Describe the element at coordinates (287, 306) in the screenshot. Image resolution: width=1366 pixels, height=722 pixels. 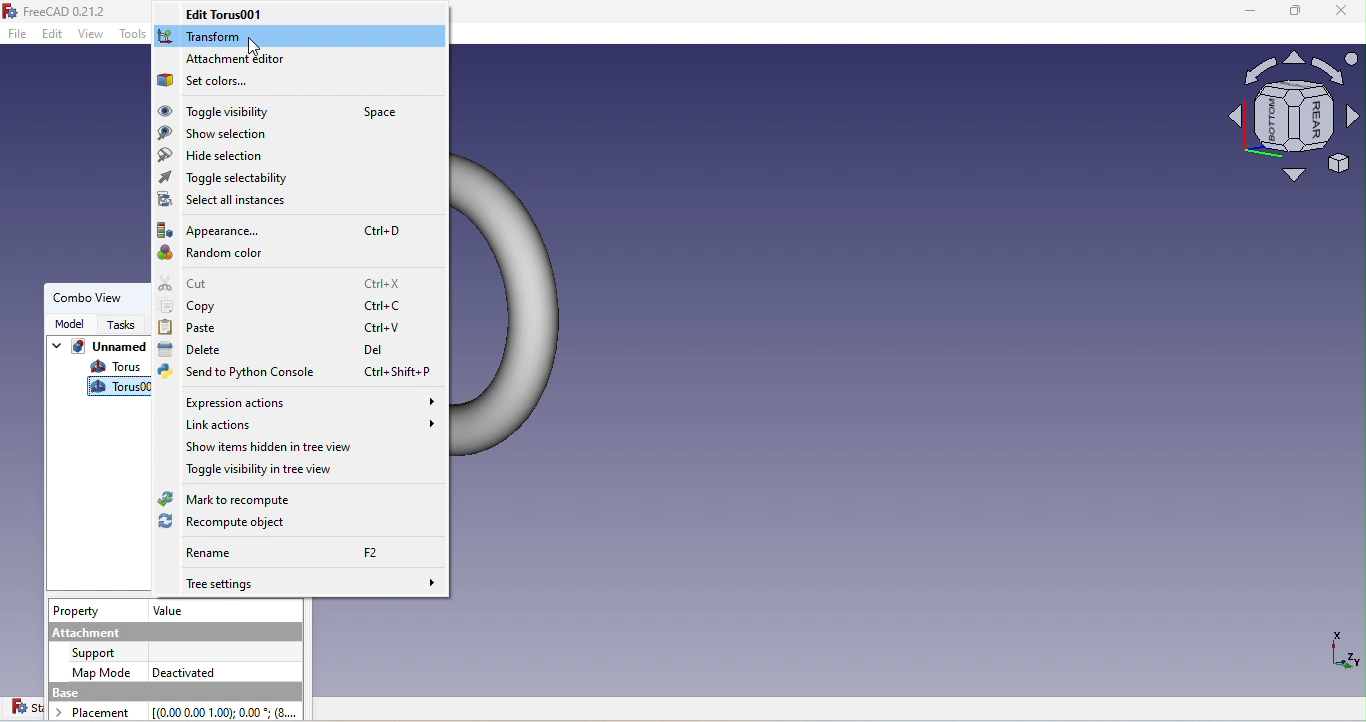
I see `Copy` at that location.